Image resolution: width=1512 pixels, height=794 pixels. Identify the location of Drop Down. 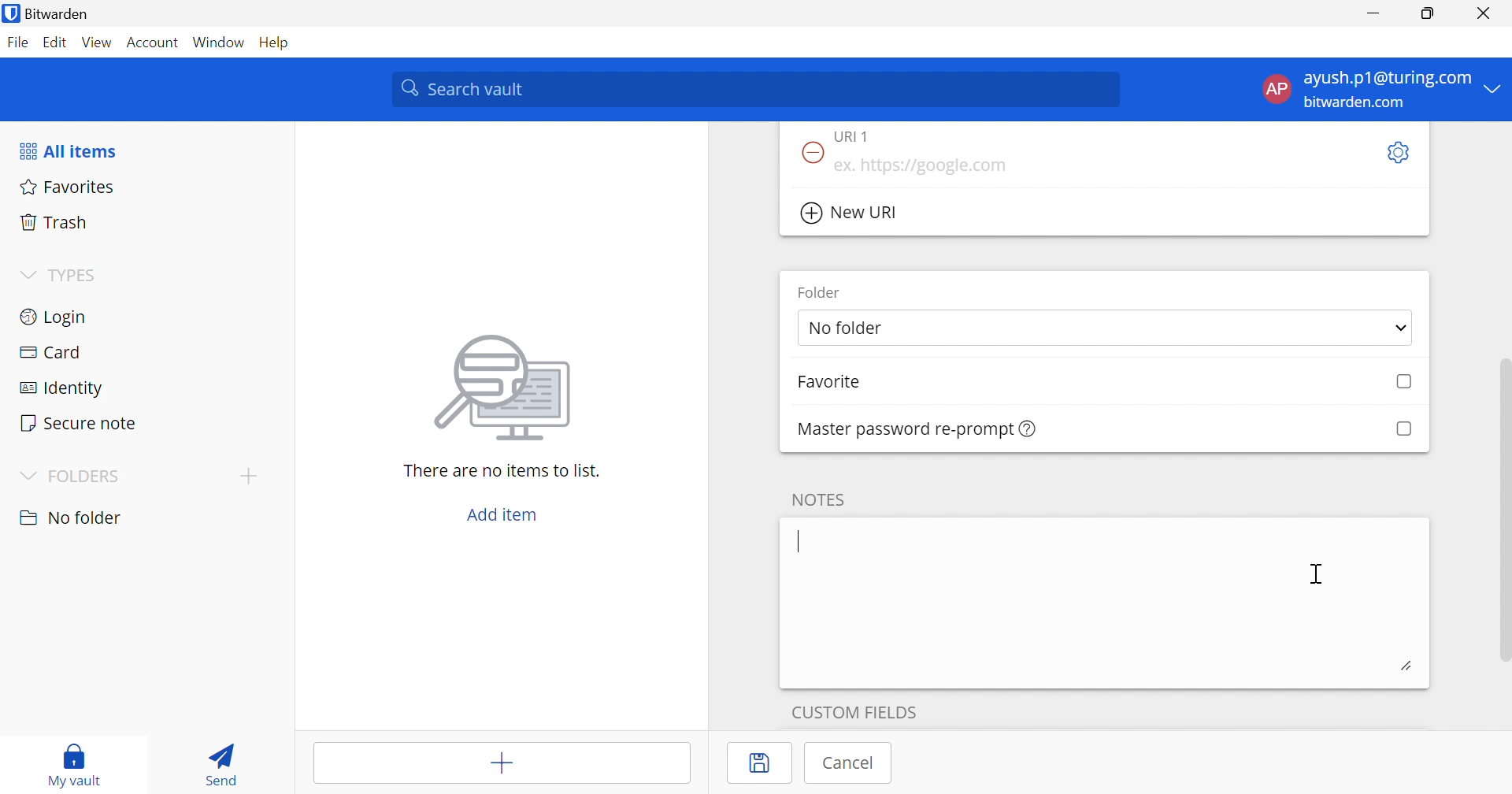
(1494, 87).